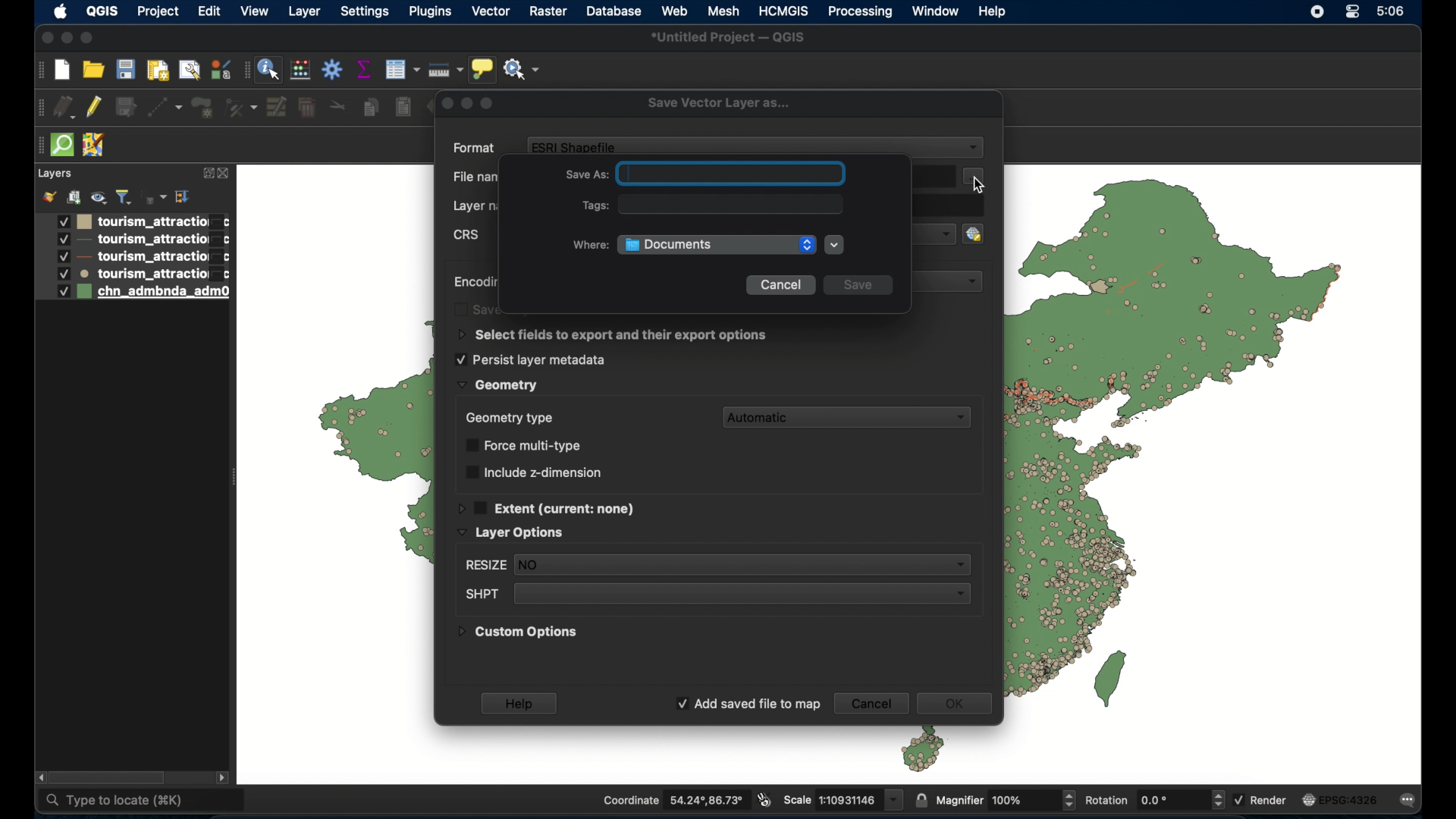  What do you see at coordinates (300, 69) in the screenshot?
I see `open field calculator` at bounding box center [300, 69].